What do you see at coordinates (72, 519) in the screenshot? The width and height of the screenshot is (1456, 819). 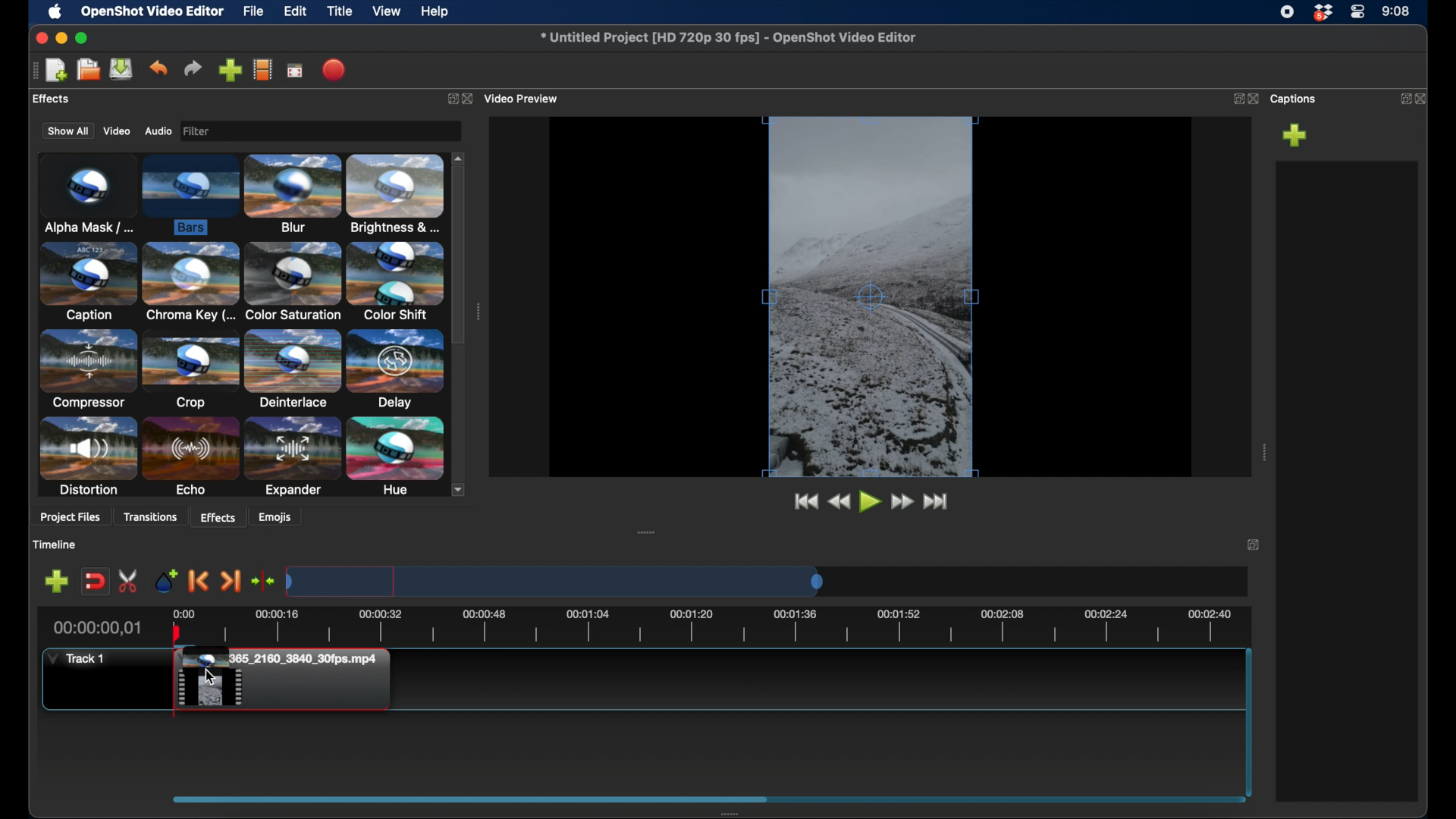 I see `project files` at bounding box center [72, 519].